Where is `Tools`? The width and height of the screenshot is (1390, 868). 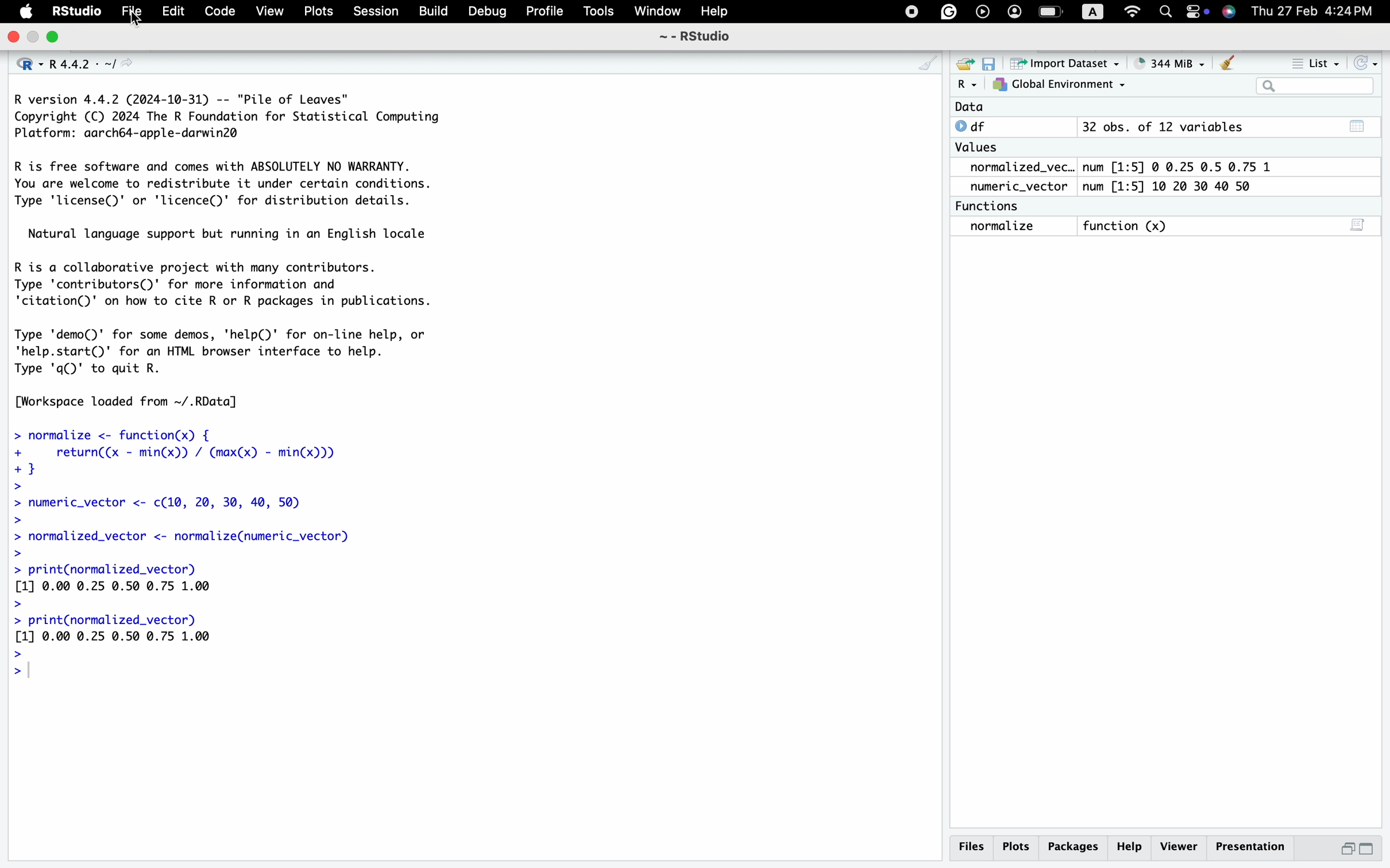 Tools is located at coordinates (598, 14).